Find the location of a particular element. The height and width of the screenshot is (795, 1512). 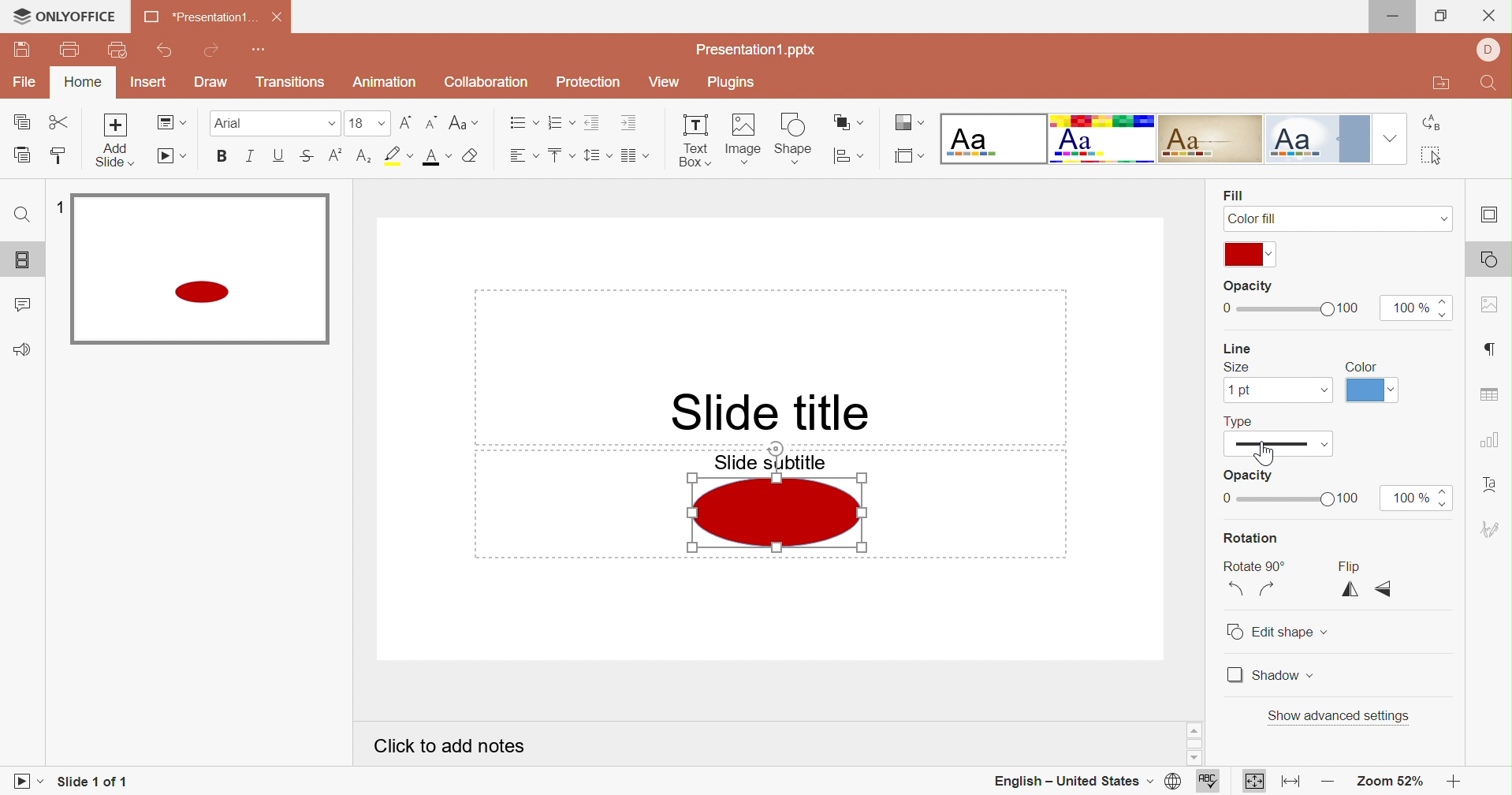

Insert columns is located at coordinates (636, 156).